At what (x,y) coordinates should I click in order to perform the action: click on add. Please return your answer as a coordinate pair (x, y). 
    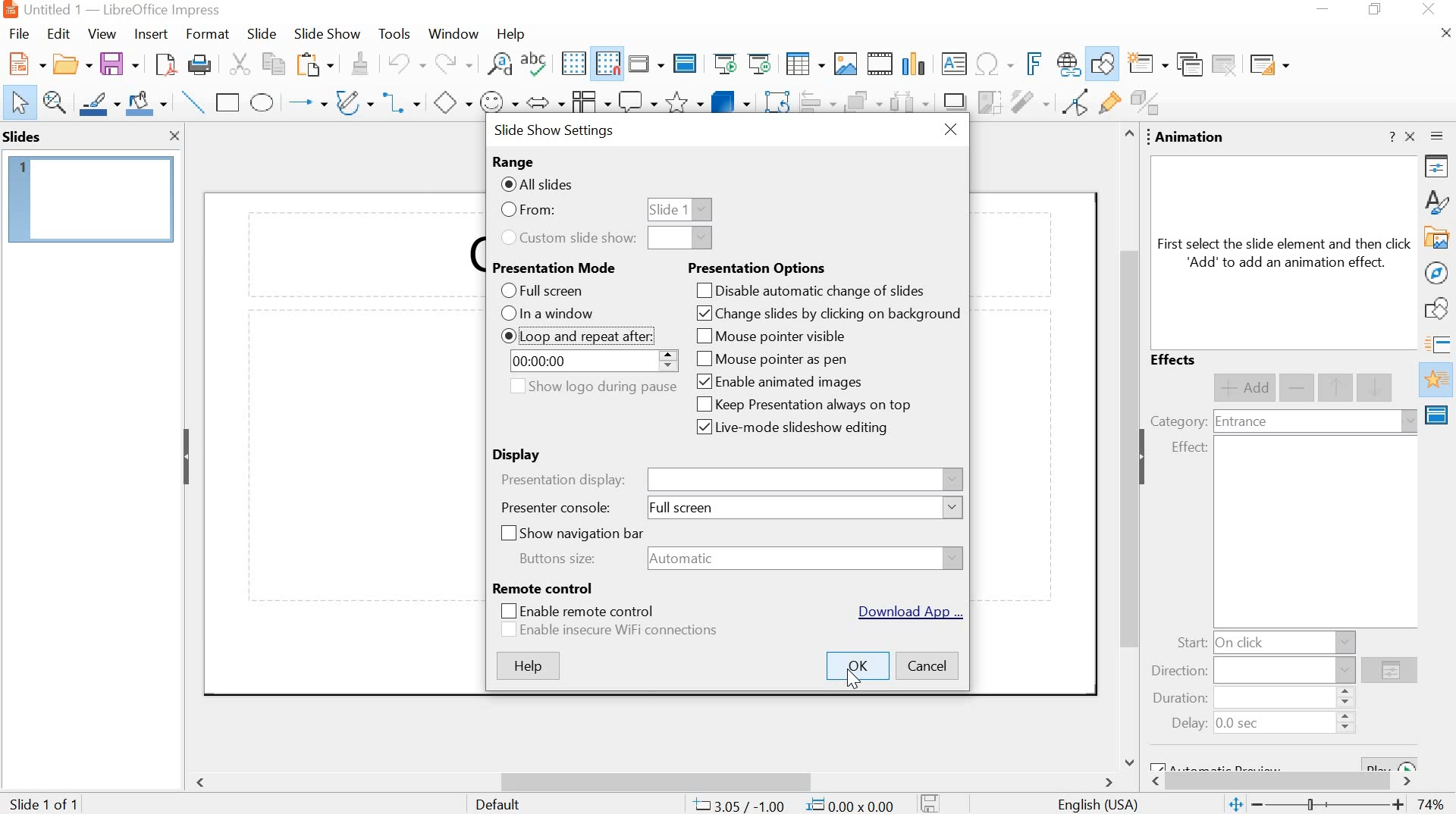
    Looking at the image, I should click on (1244, 388).